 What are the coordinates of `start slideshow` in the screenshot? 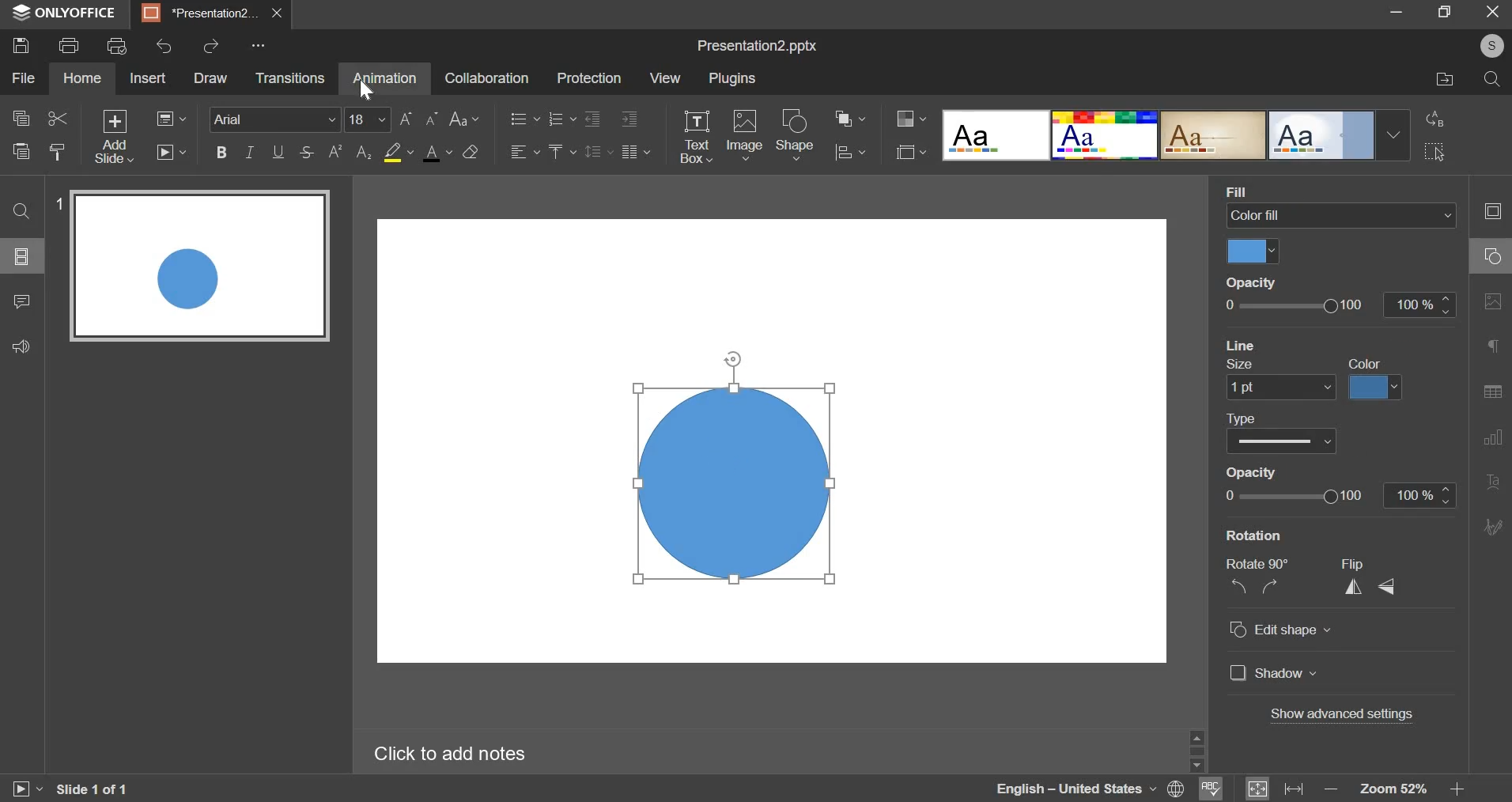 It's located at (171, 153).